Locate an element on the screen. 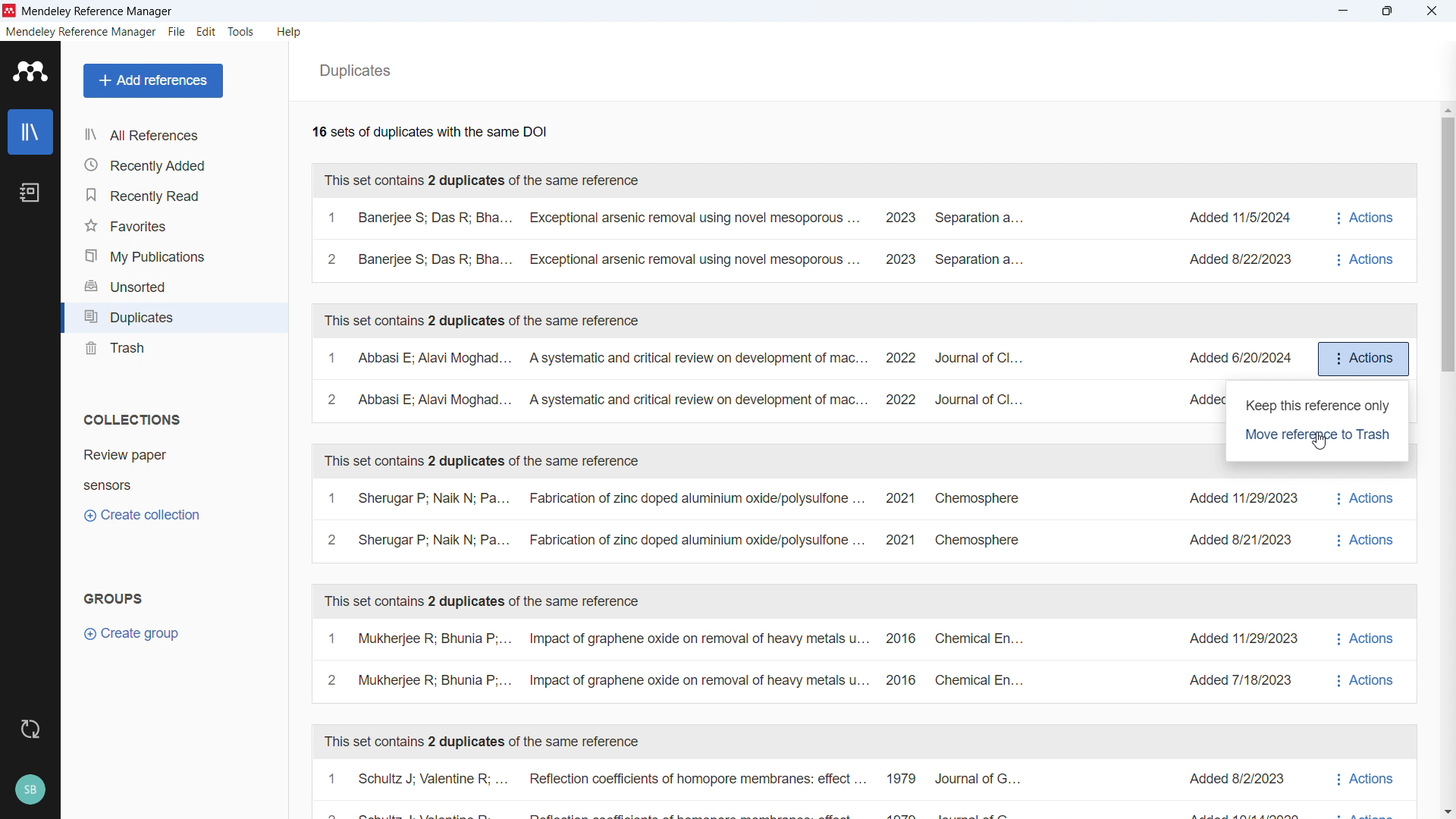 Image resolution: width=1456 pixels, height=819 pixels. Scroll up  is located at coordinates (1447, 110).